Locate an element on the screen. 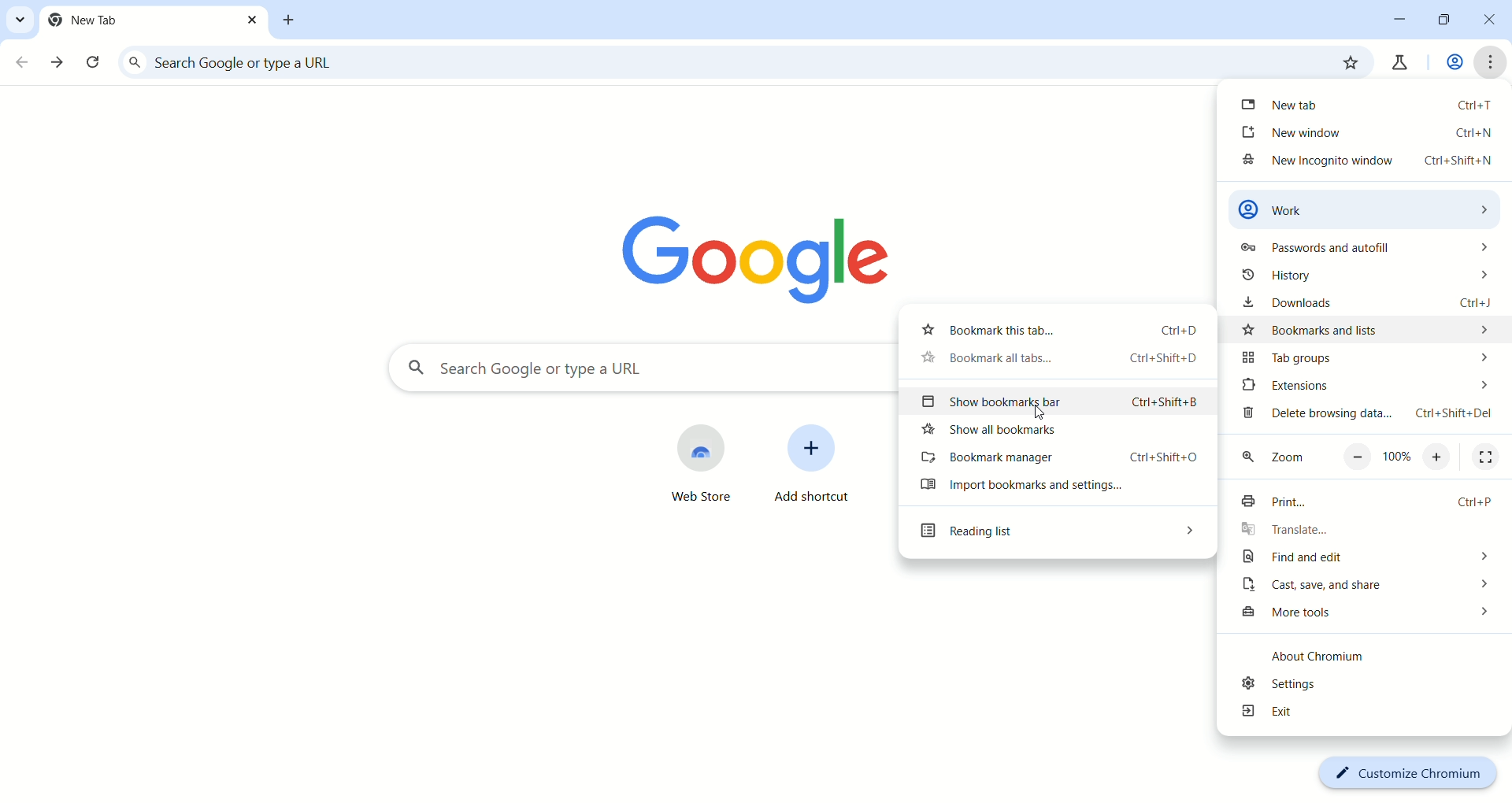 The height and width of the screenshot is (803, 1512). delete browsing data is located at coordinates (1367, 417).